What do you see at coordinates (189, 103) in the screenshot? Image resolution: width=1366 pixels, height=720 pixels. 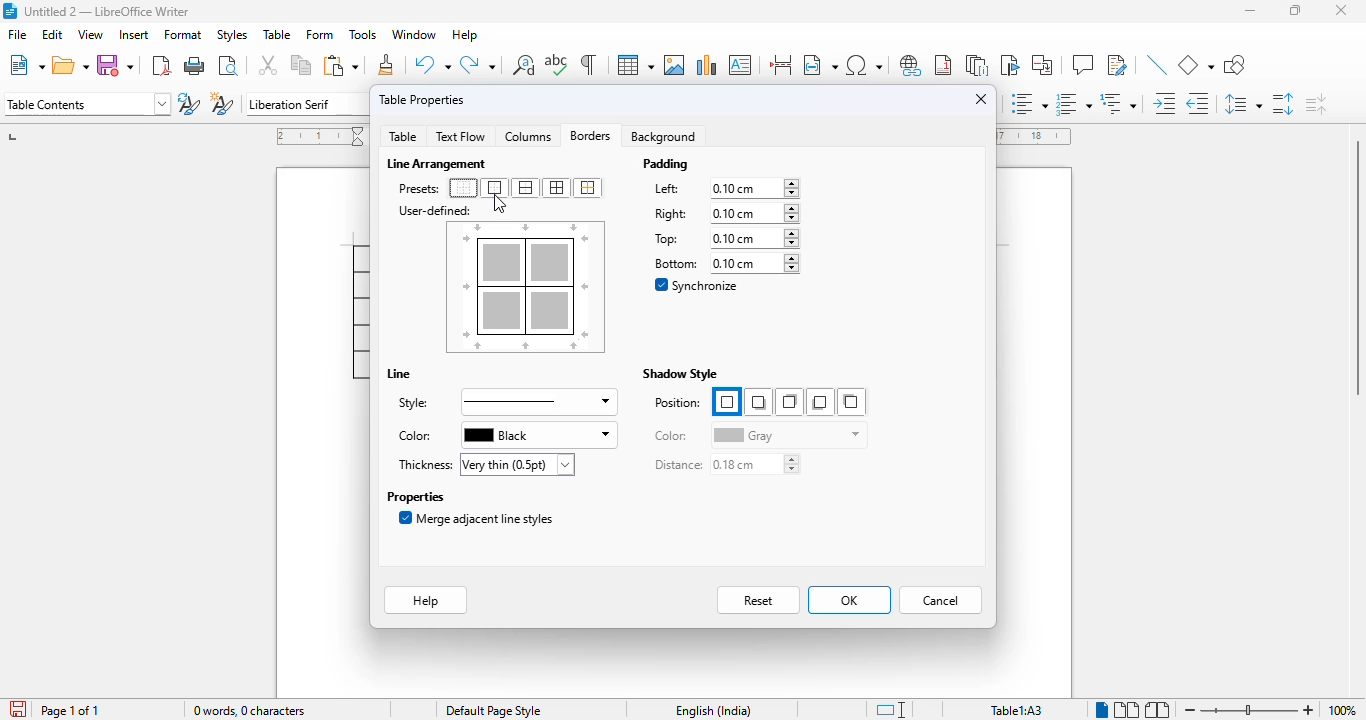 I see `update new selection` at bounding box center [189, 103].